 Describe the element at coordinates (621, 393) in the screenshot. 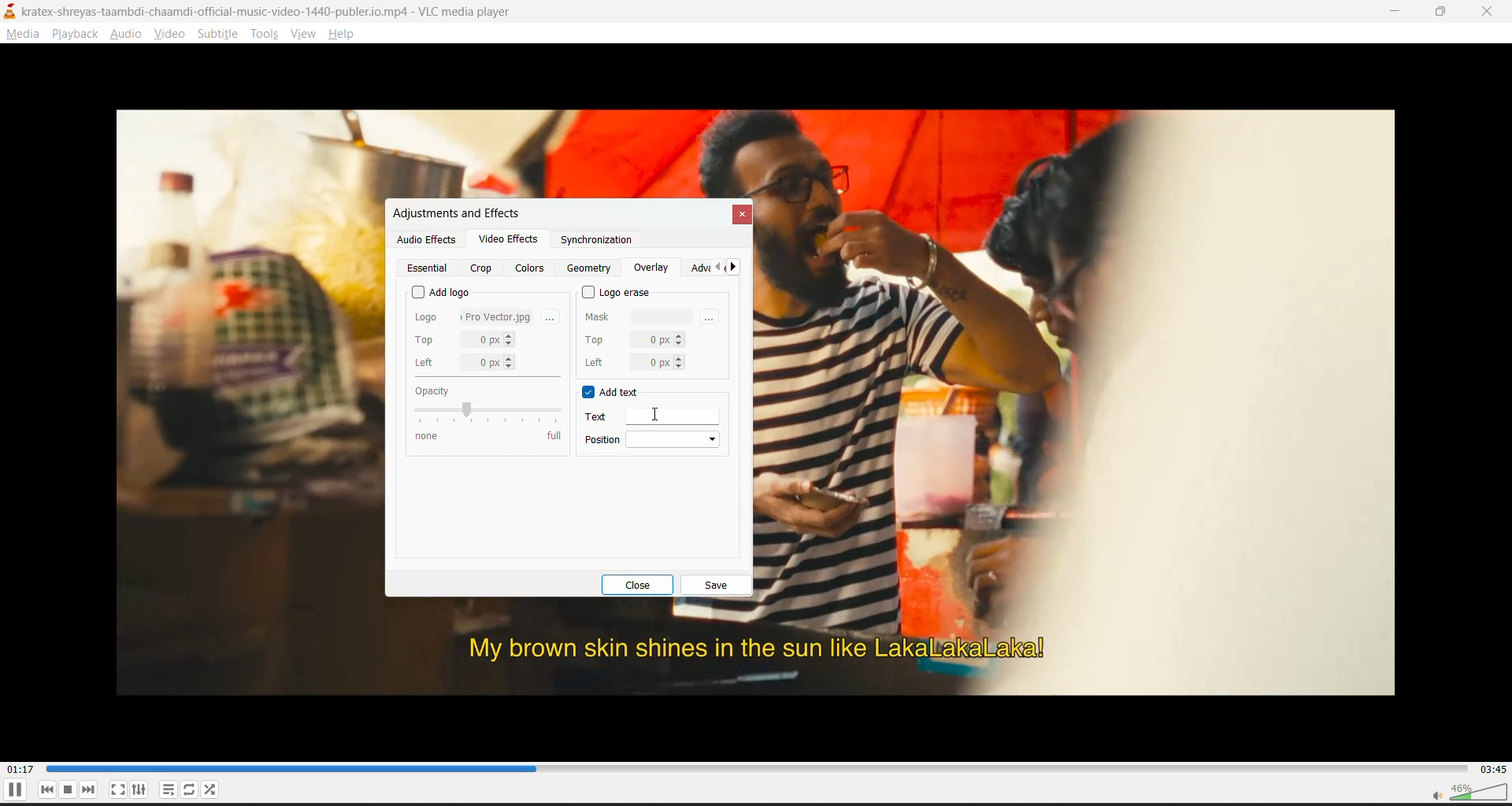

I see `add text` at that location.